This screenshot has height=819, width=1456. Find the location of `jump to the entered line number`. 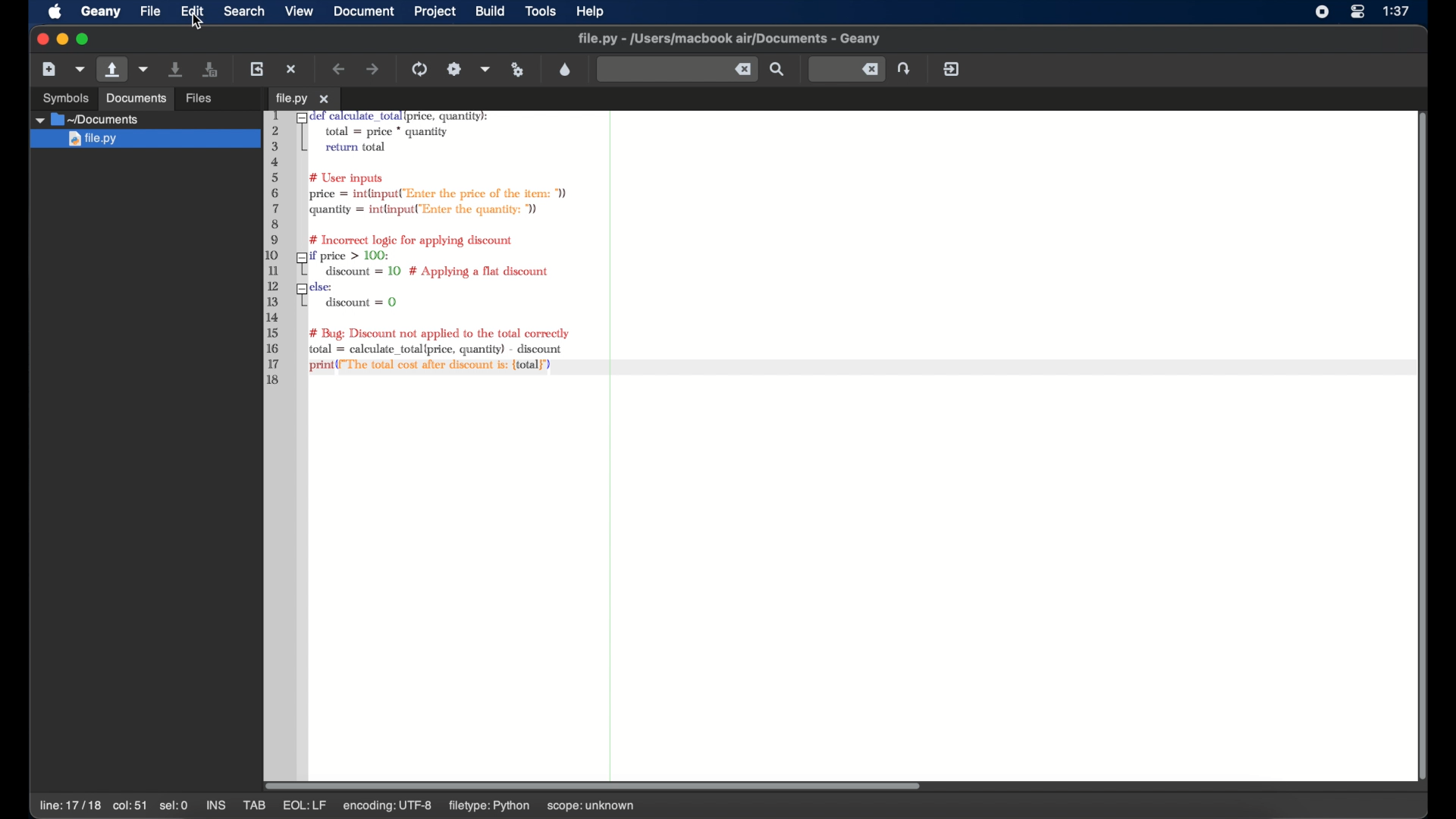

jump to the entered line number is located at coordinates (905, 68).